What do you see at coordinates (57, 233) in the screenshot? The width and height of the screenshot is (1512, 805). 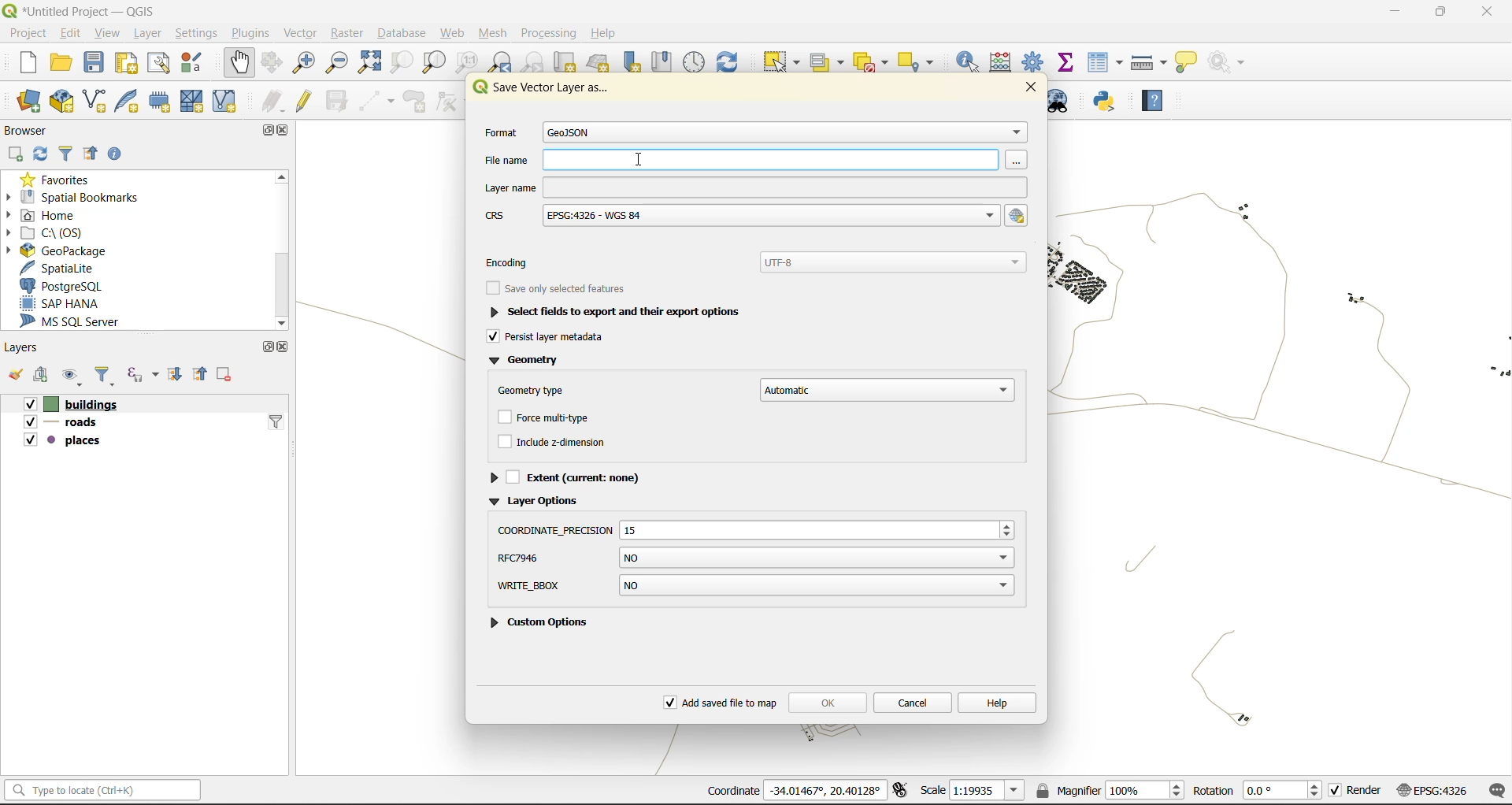 I see `c\:os` at bounding box center [57, 233].